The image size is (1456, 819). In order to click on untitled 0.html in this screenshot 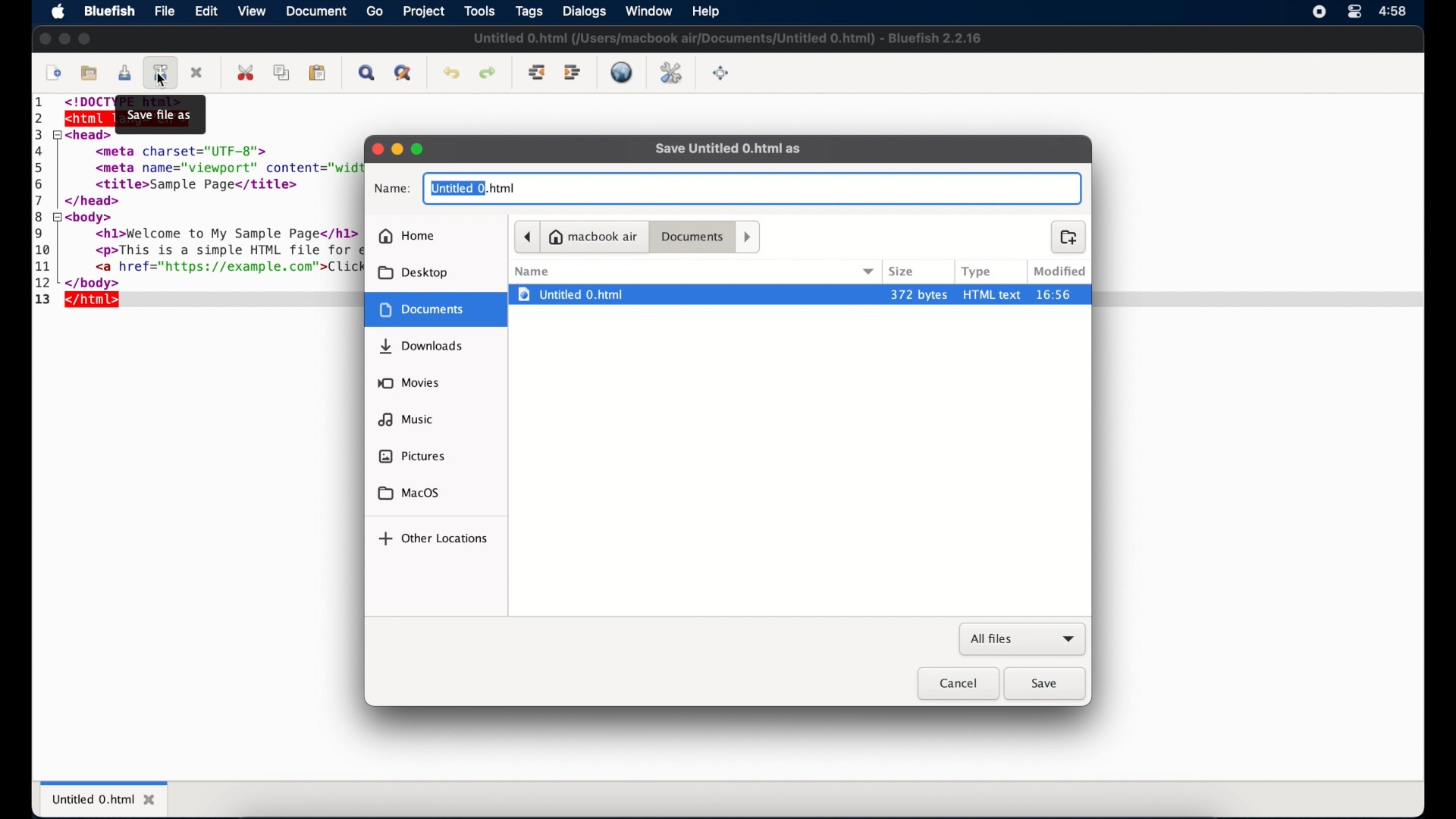, I will do `click(693, 294)`.